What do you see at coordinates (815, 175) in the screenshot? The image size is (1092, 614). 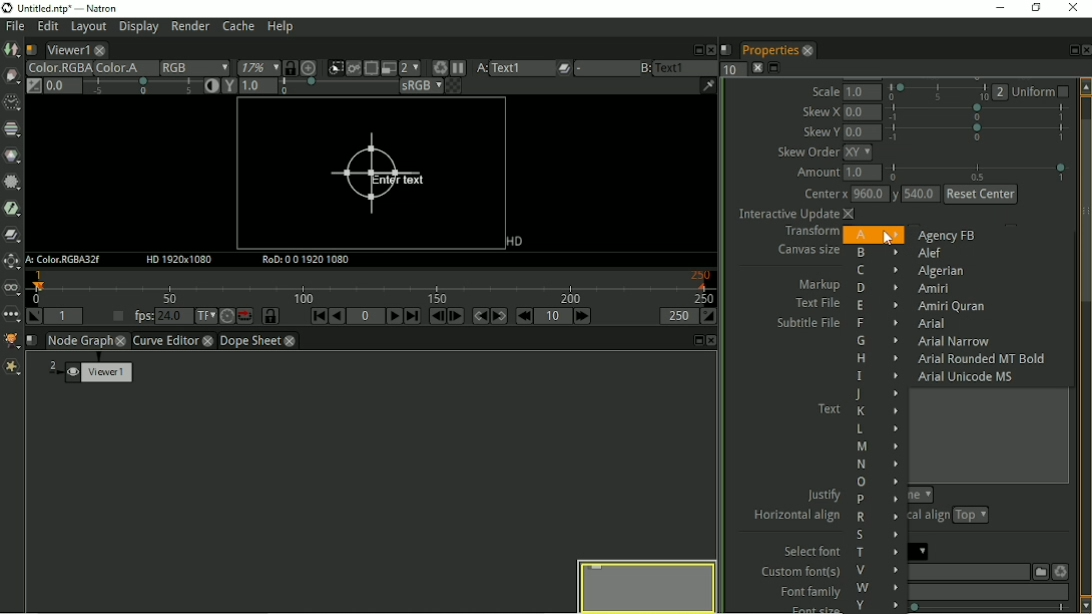 I see `Amount` at bounding box center [815, 175].